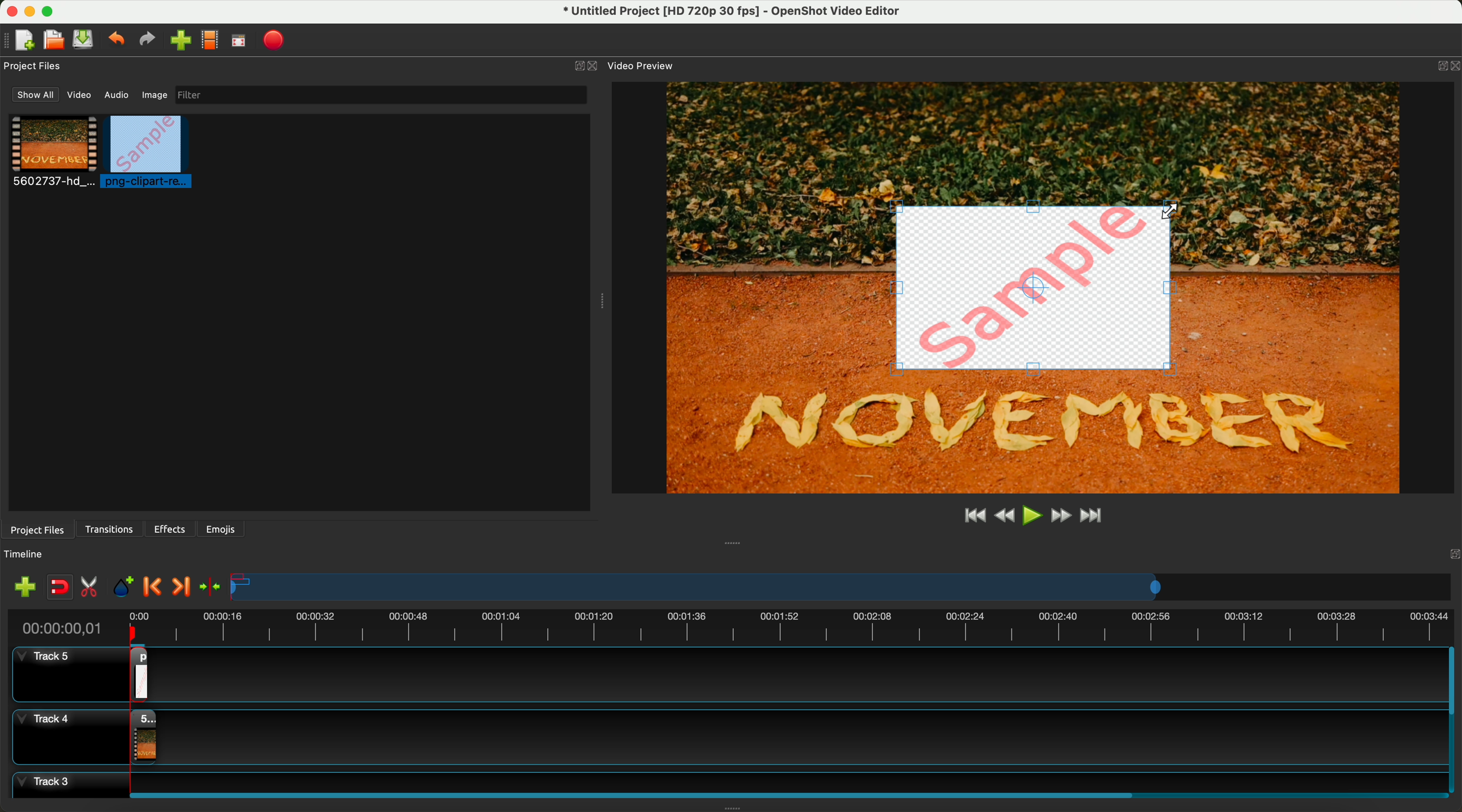 This screenshot has width=1462, height=812. What do you see at coordinates (117, 94) in the screenshot?
I see `audio` at bounding box center [117, 94].